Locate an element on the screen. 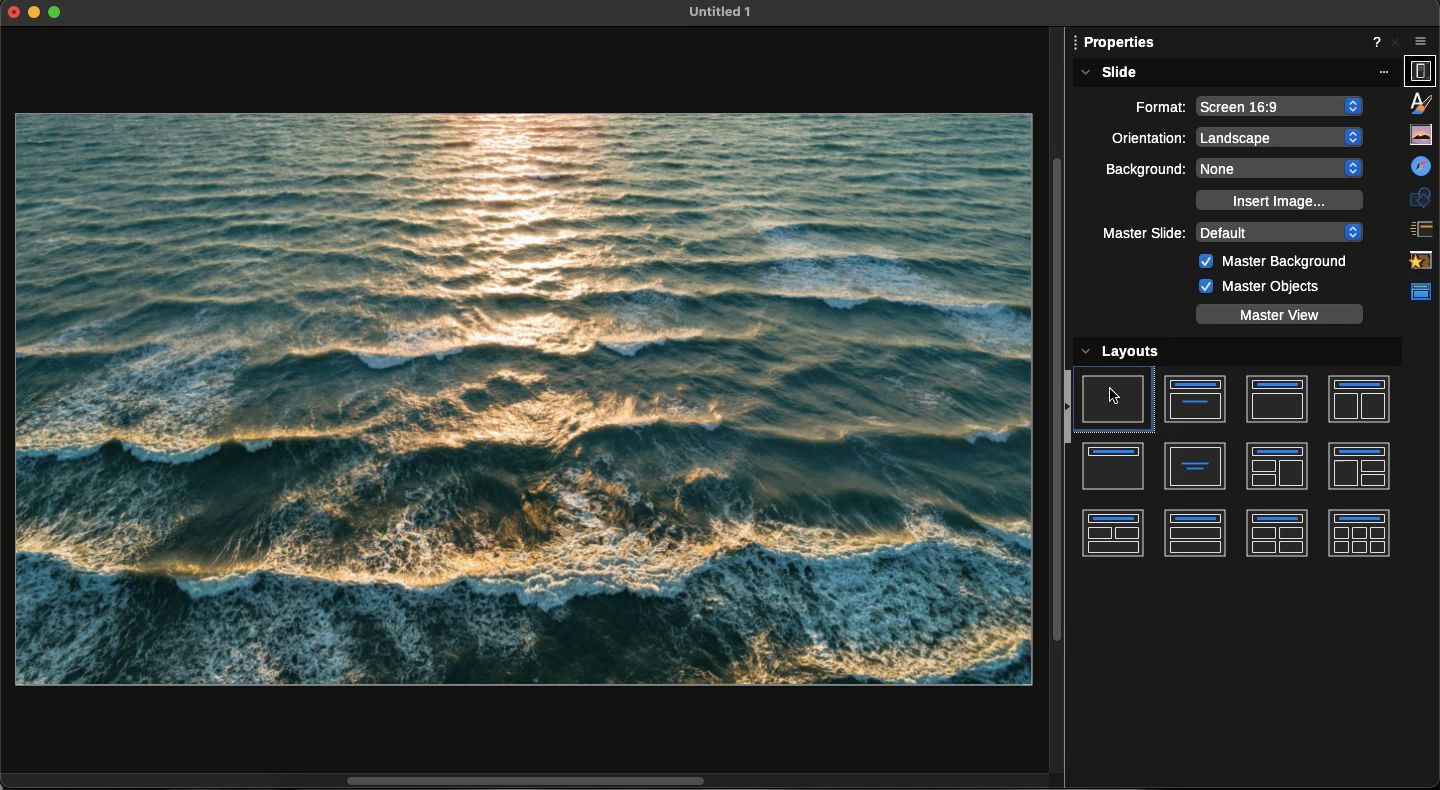  Title and two boxes is located at coordinates (1195, 533).